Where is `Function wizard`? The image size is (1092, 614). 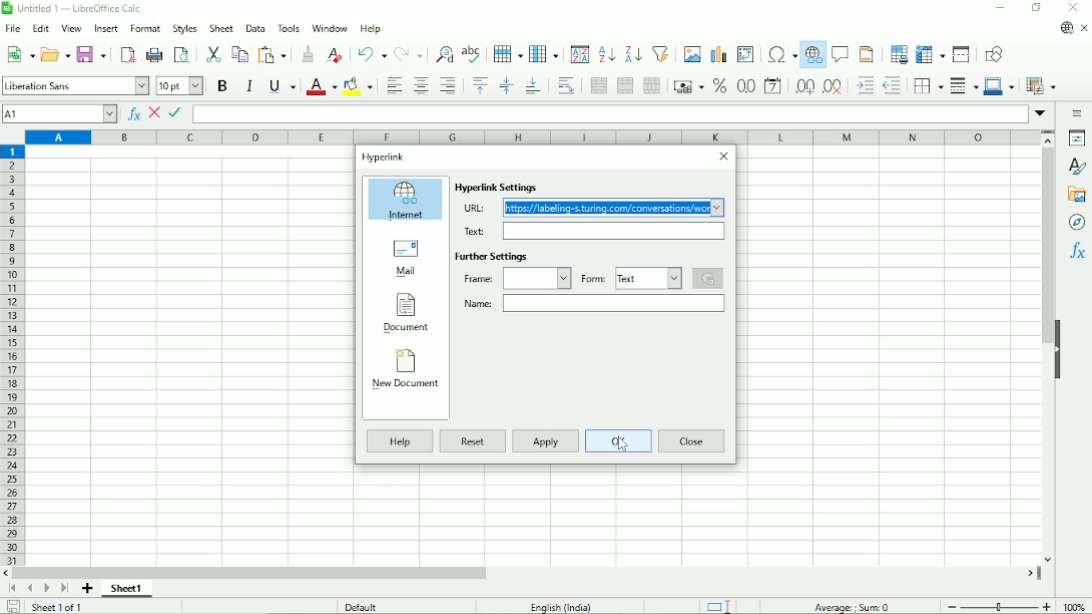 Function wizard is located at coordinates (133, 114).